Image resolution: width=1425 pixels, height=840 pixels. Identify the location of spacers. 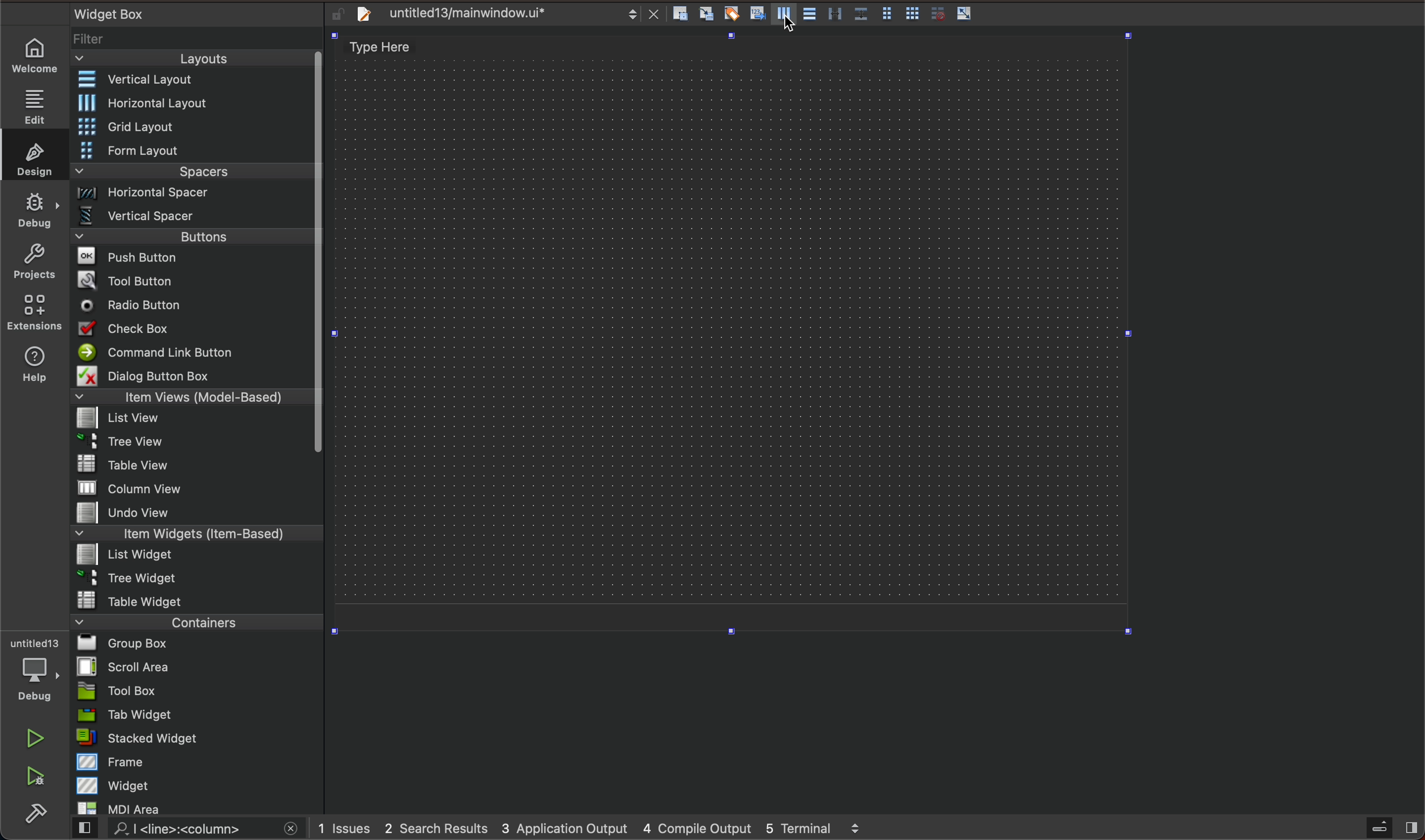
(192, 172).